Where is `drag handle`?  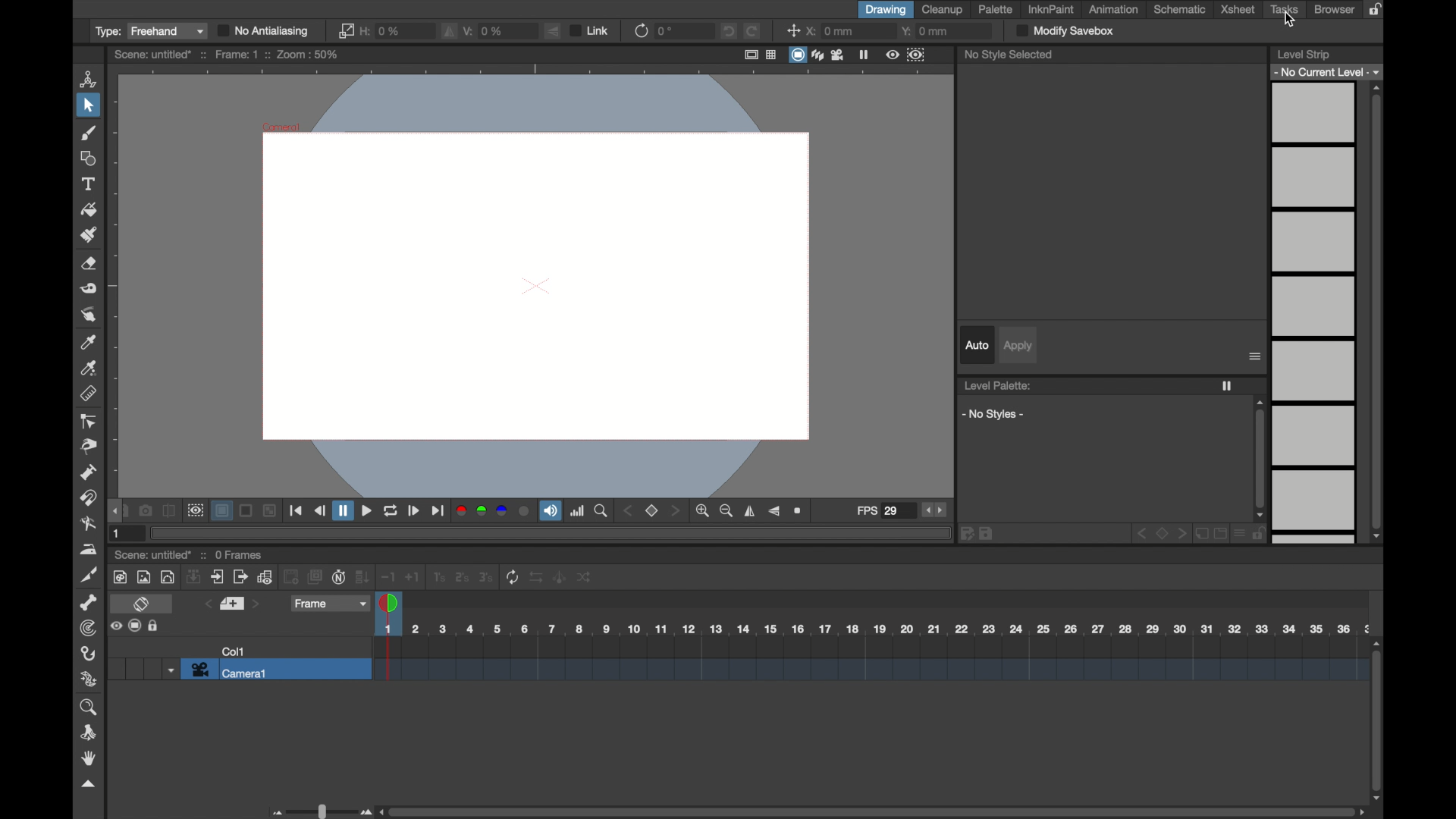
drag handle is located at coordinates (118, 511).